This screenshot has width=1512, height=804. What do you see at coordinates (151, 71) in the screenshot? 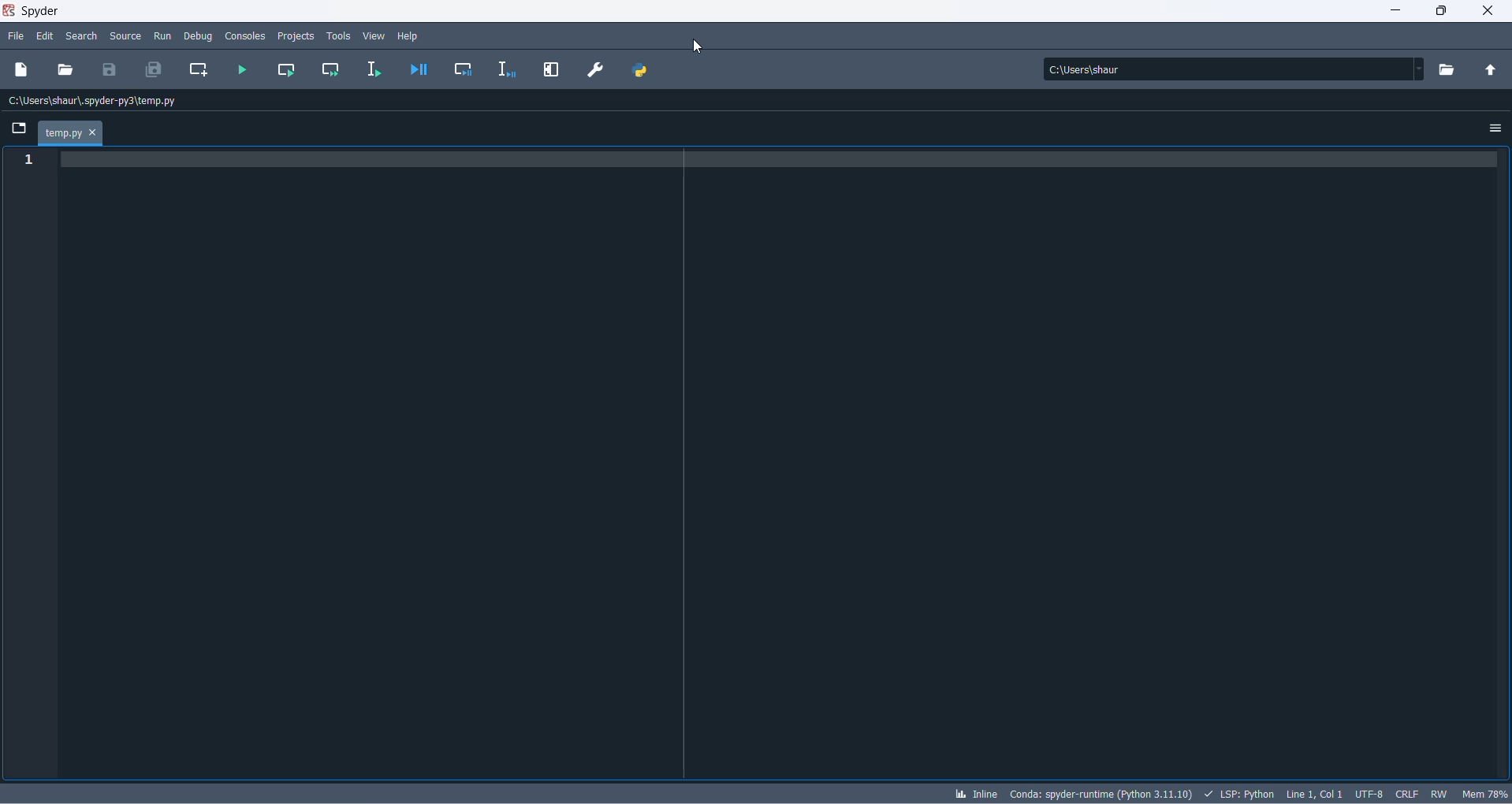
I see `save all` at bounding box center [151, 71].